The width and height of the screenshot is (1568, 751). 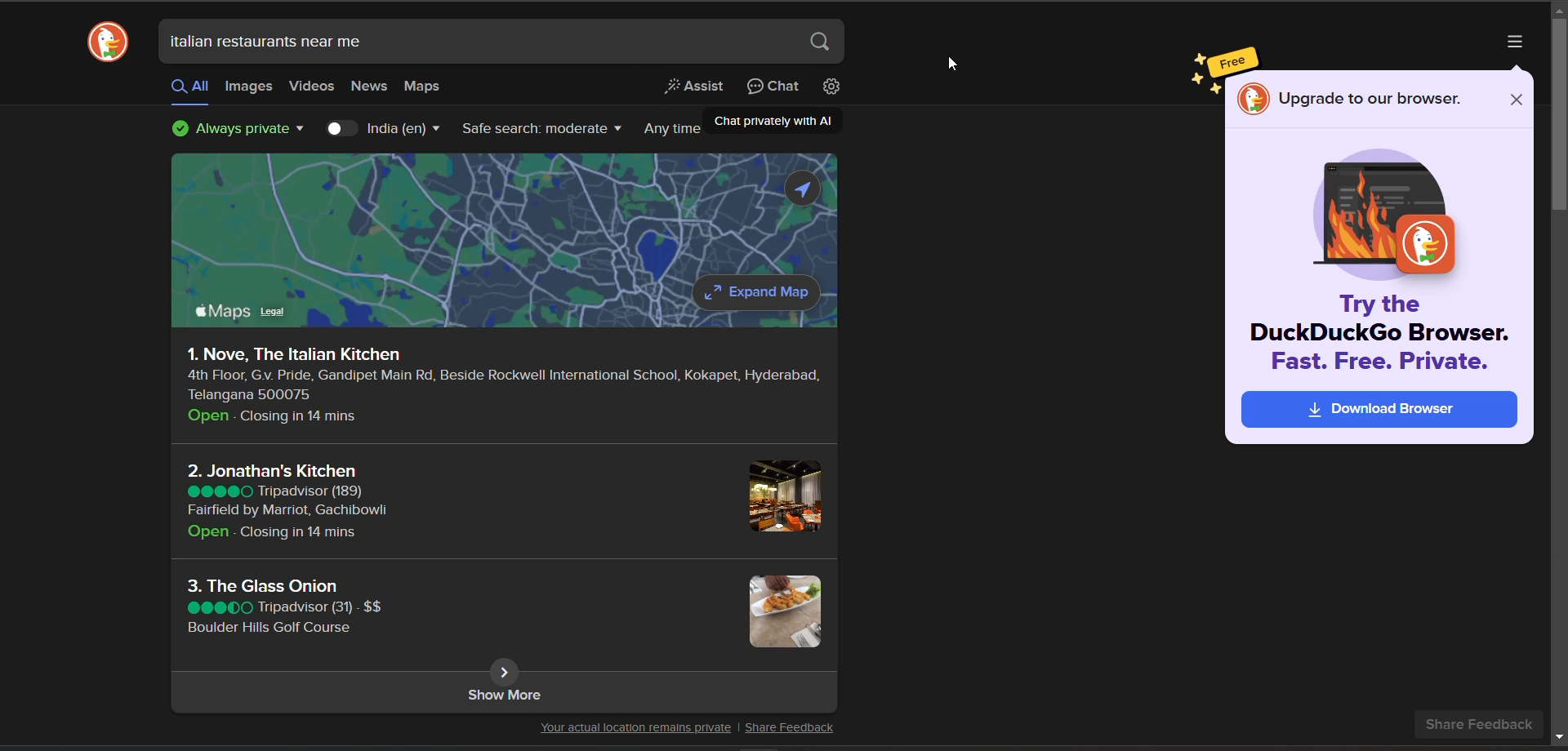 What do you see at coordinates (370, 87) in the screenshot?
I see `Search news` at bounding box center [370, 87].